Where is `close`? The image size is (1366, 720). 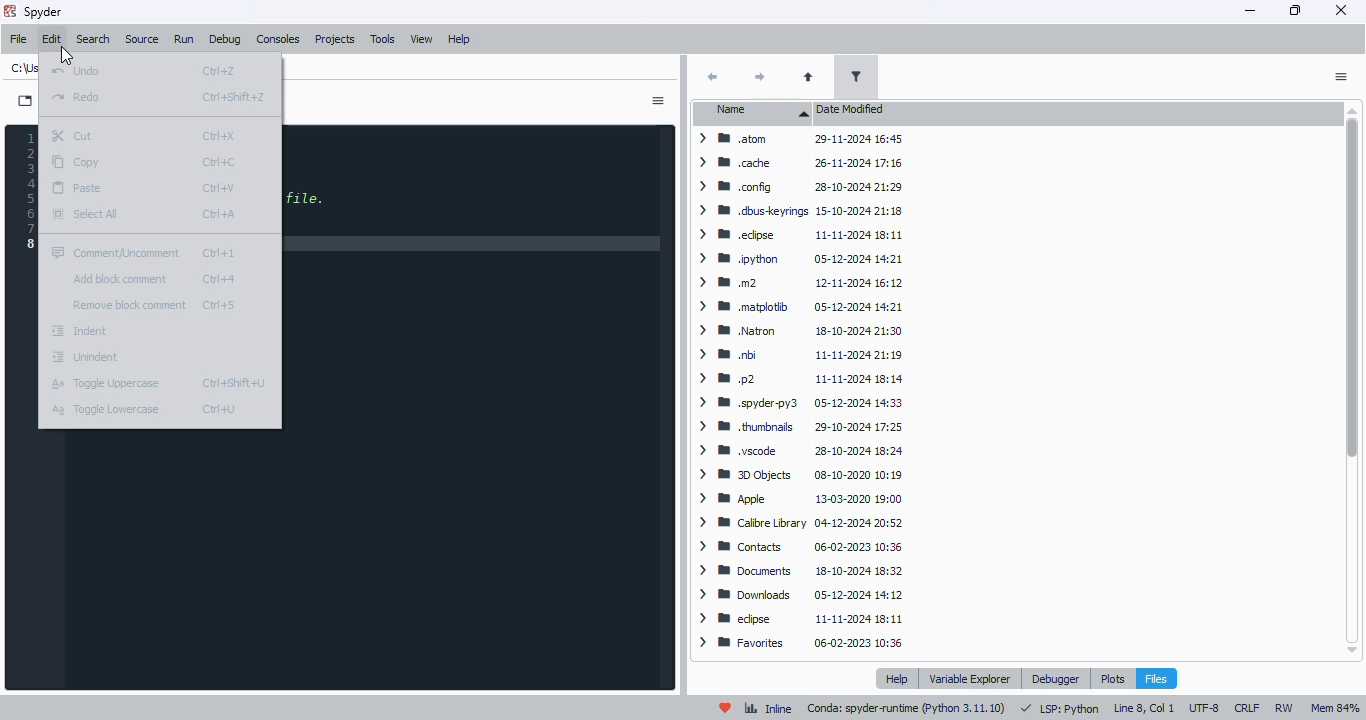 close is located at coordinates (1340, 10).